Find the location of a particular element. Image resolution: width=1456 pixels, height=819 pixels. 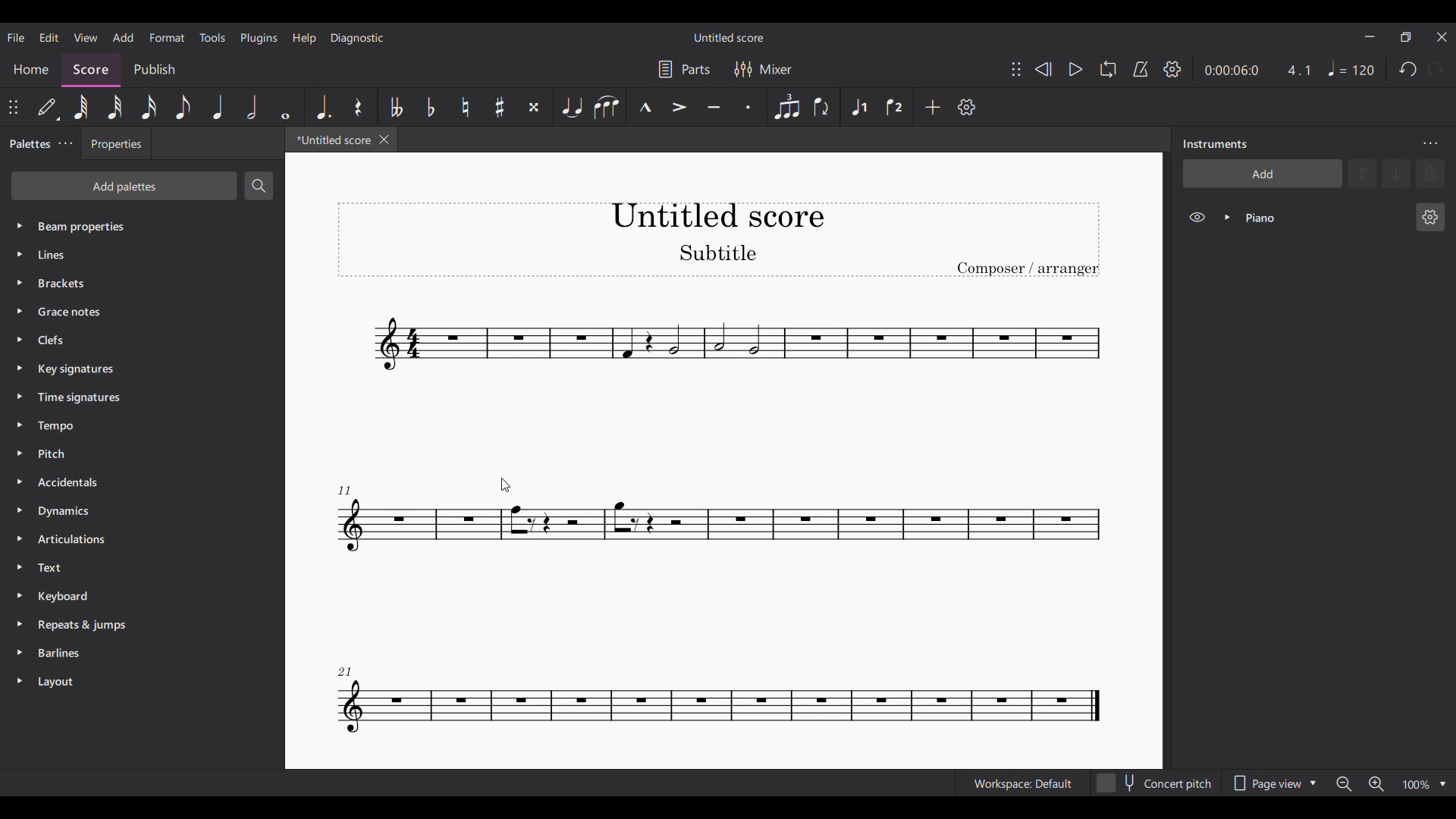

Playback settings is located at coordinates (1172, 69).